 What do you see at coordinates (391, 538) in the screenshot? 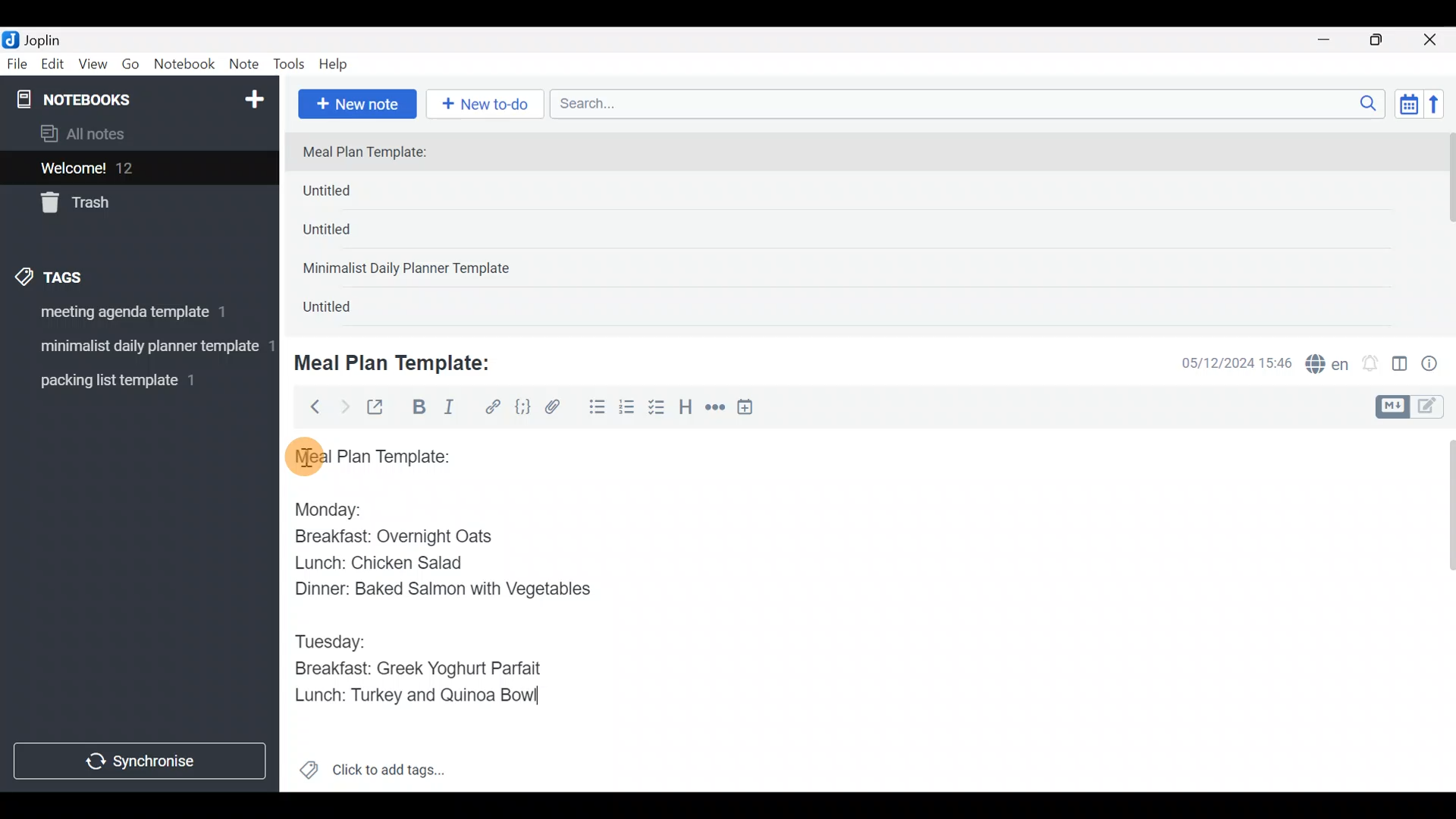
I see `Breakfast: Overnight Oats` at bounding box center [391, 538].